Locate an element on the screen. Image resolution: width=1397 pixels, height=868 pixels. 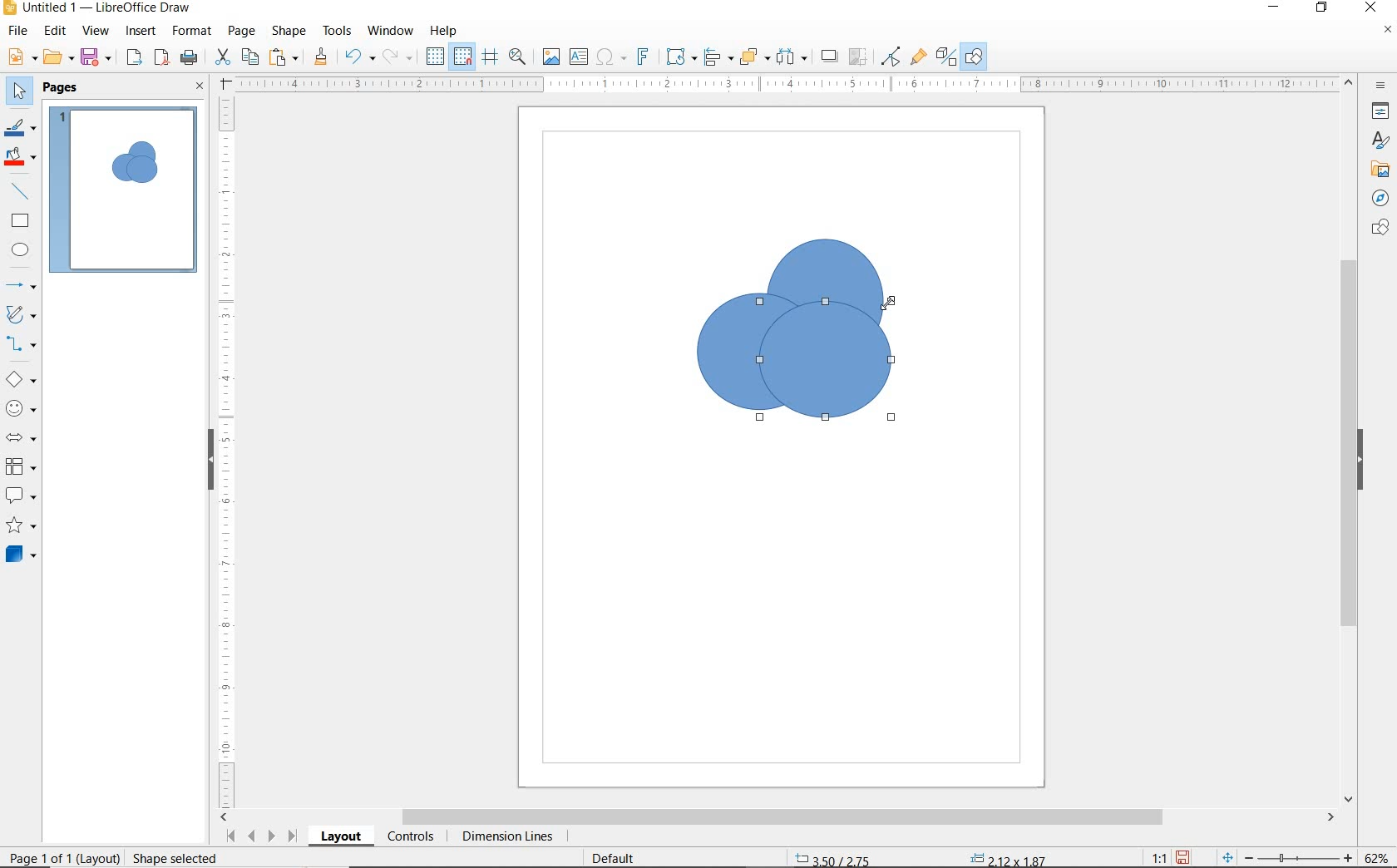
ELLIPSE TOOL is located at coordinates (763, 420).